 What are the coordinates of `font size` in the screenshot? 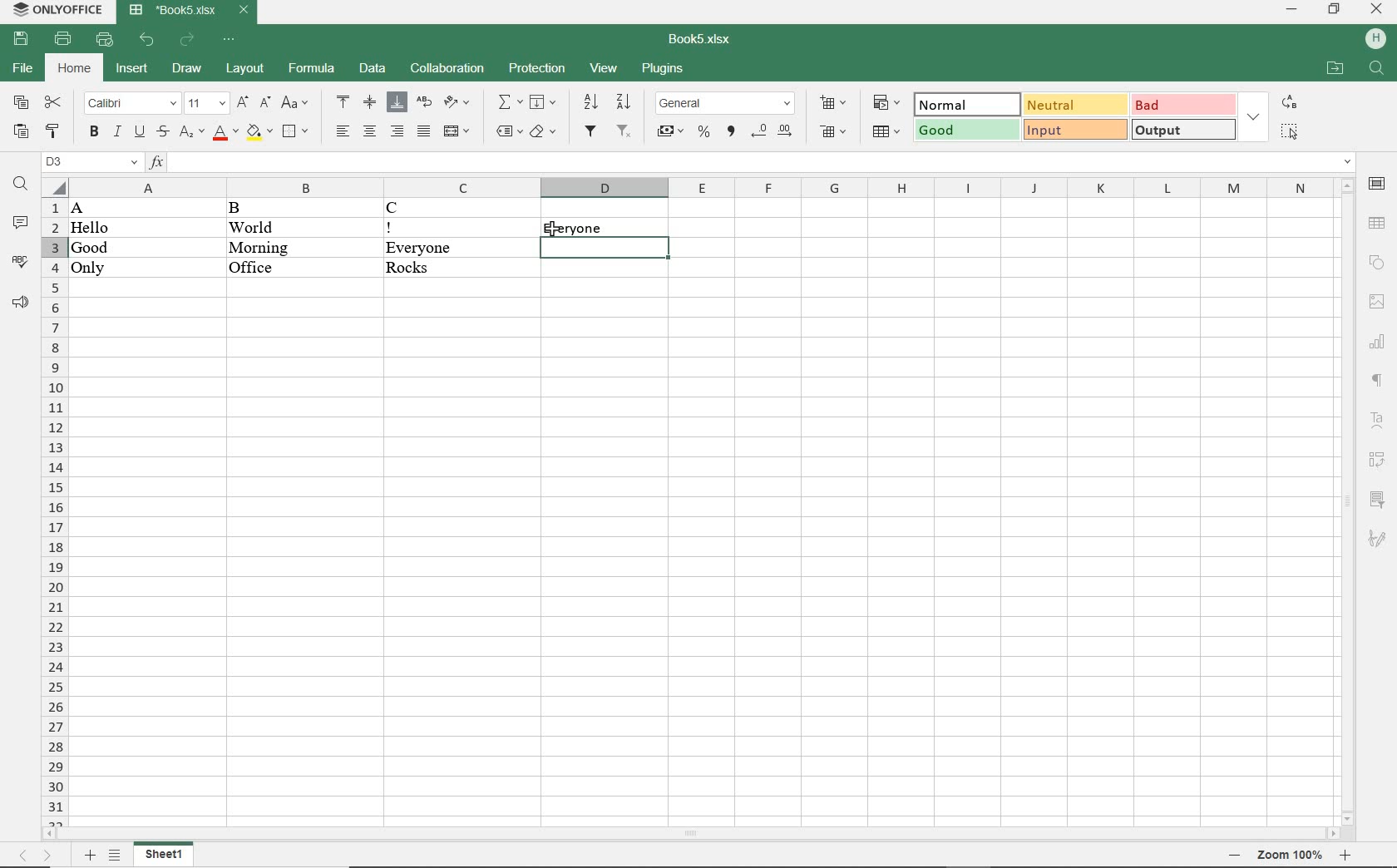 It's located at (206, 104).